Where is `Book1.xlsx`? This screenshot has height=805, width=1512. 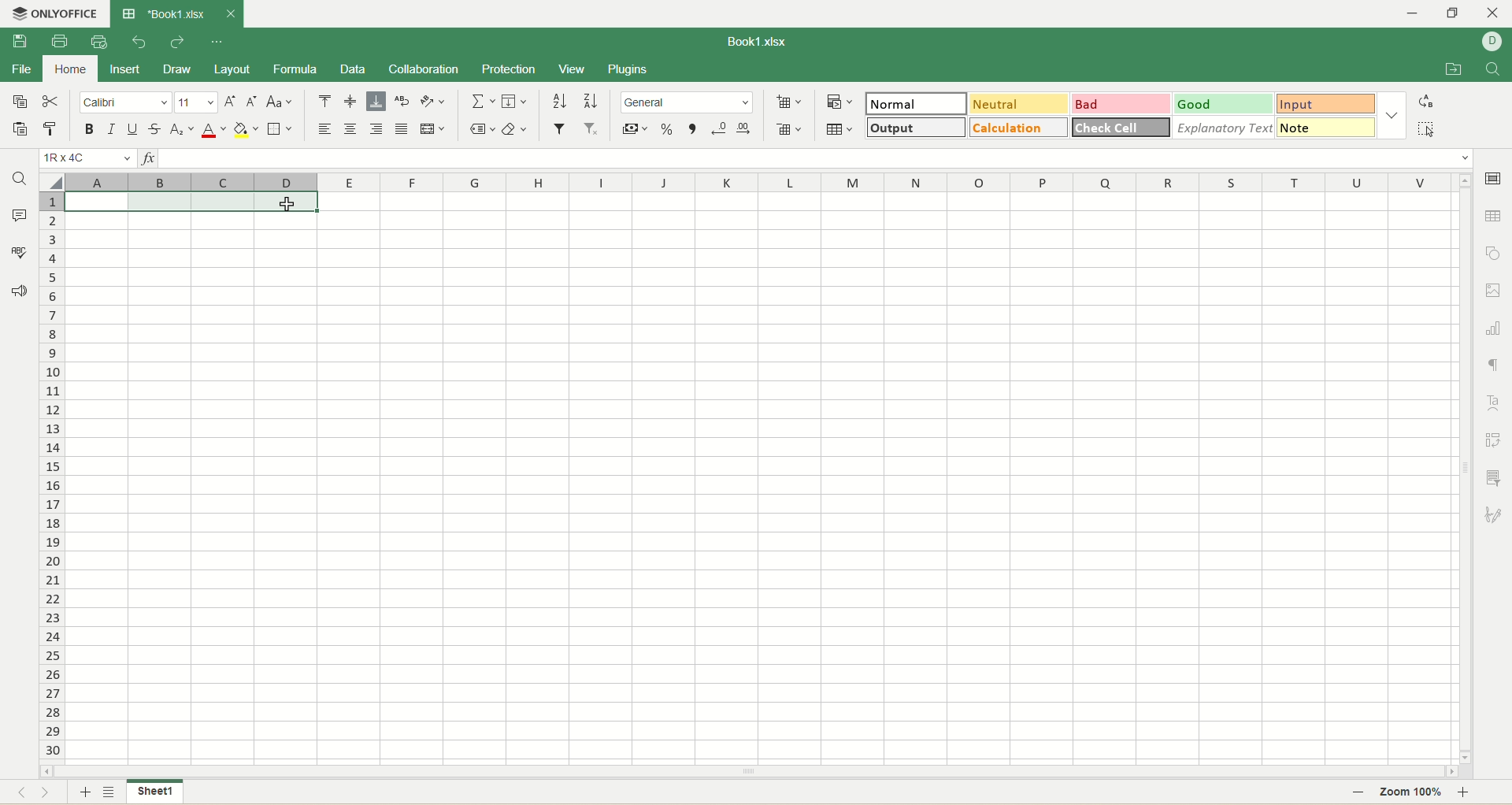 Book1.xlsx is located at coordinates (163, 14).